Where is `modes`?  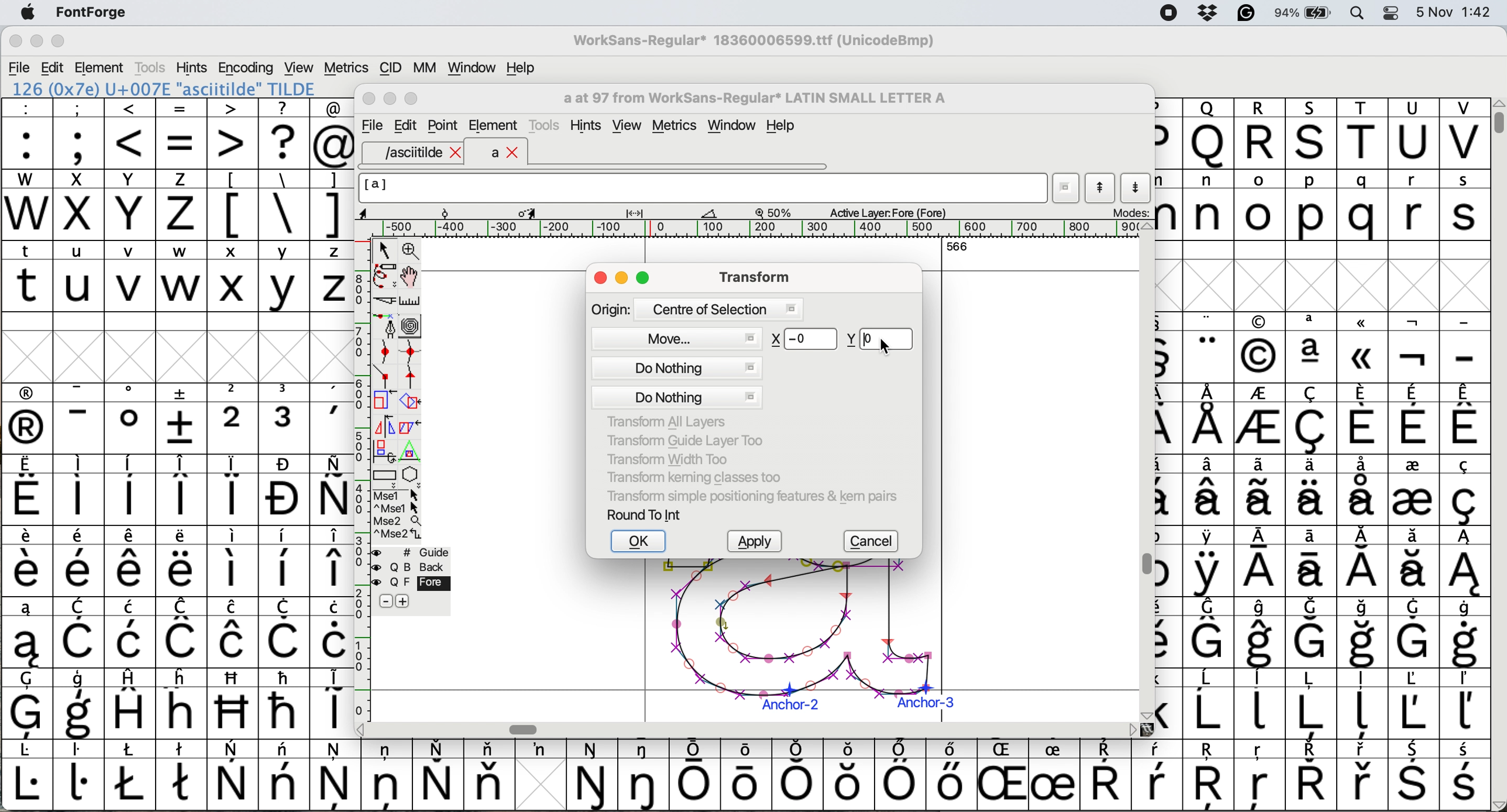
modes is located at coordinates (1130, 212).